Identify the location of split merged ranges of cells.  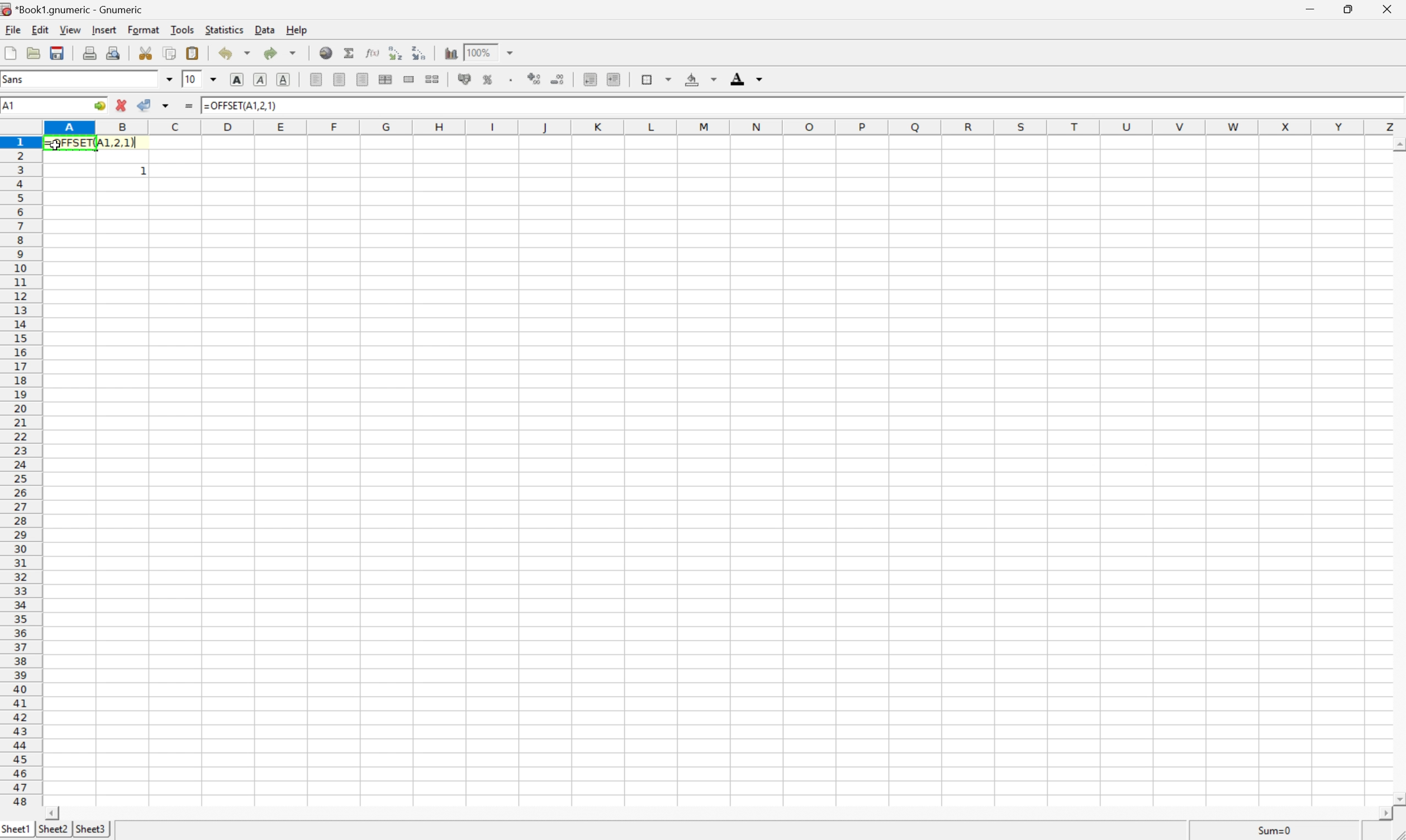
(434, 78).